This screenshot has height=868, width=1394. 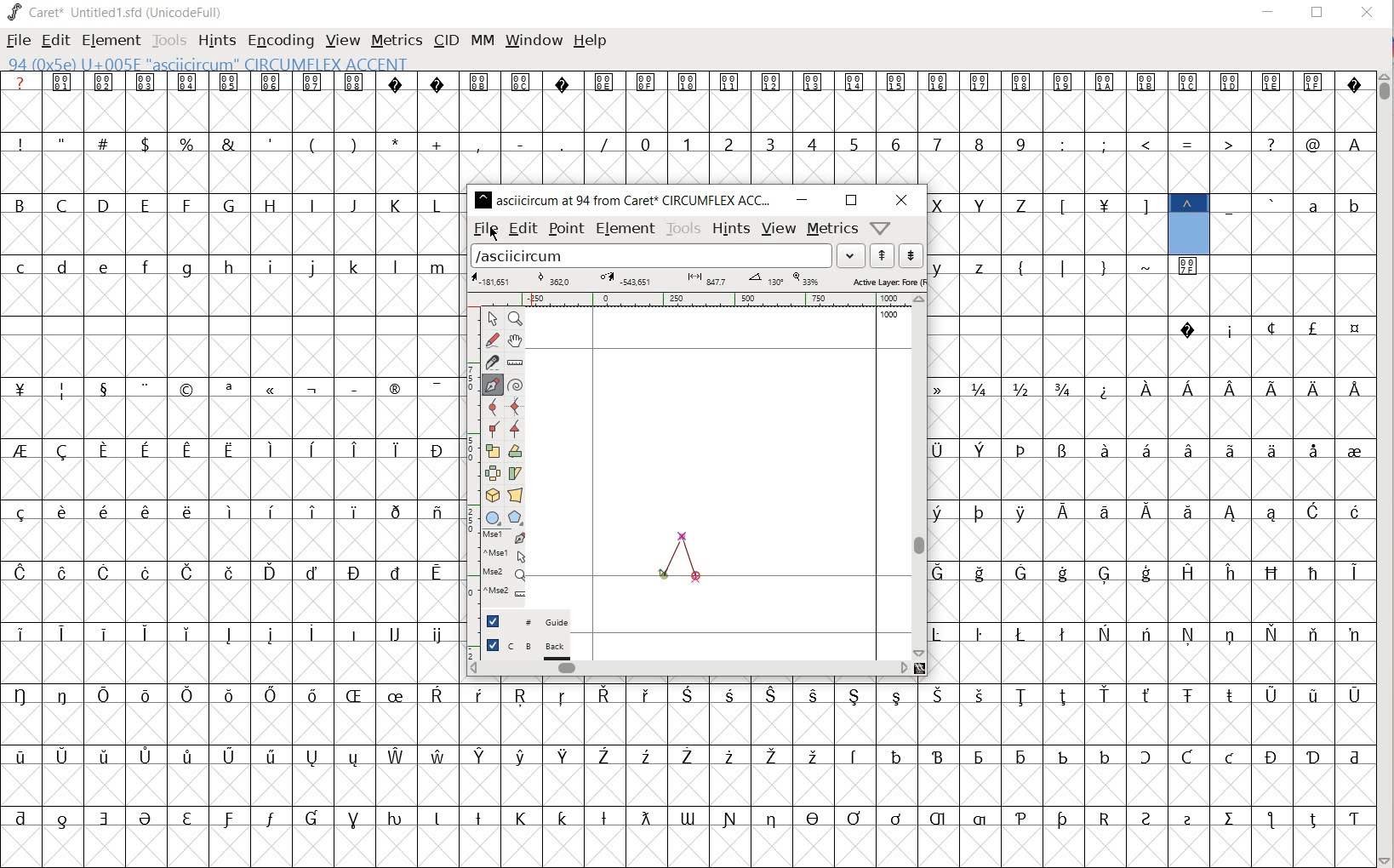 I want to click on view, so click(x=779, y=229).